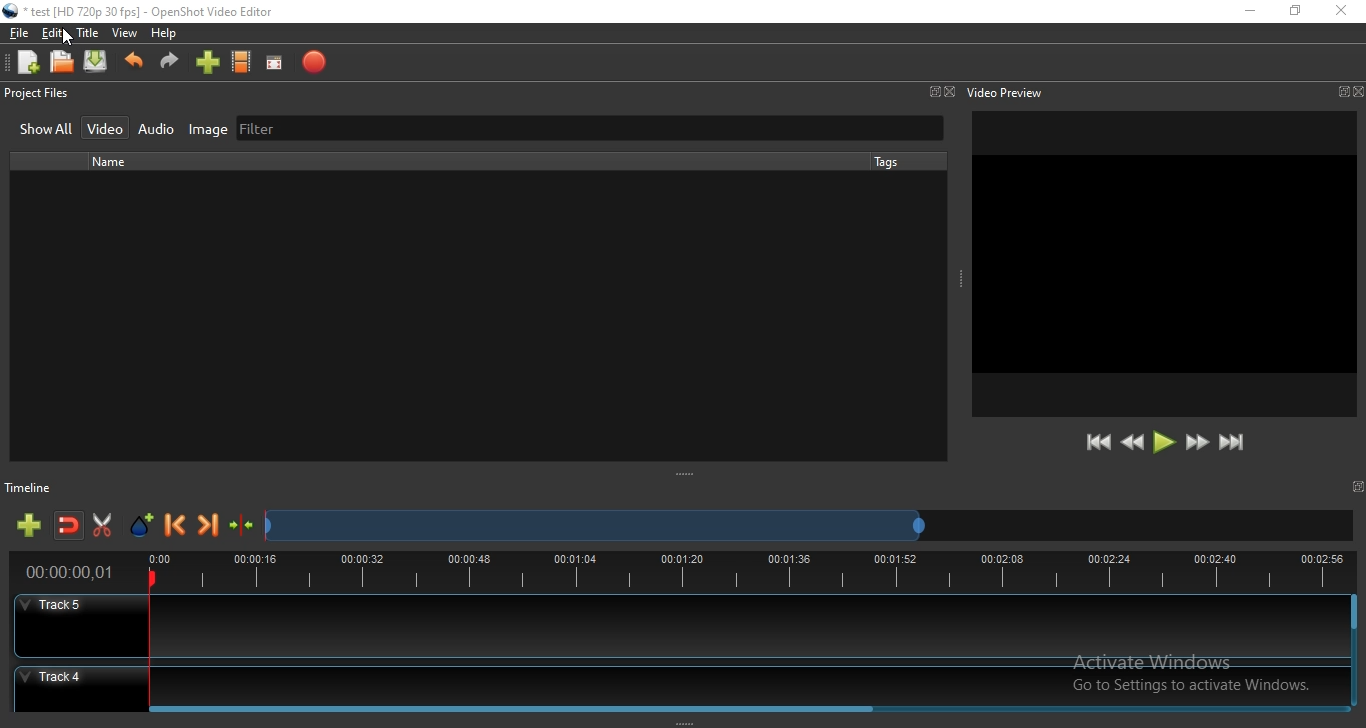  What do you see at coordinates (933, 91) in the screenshot?
I see `Window ` at bounding box center [933, 91].